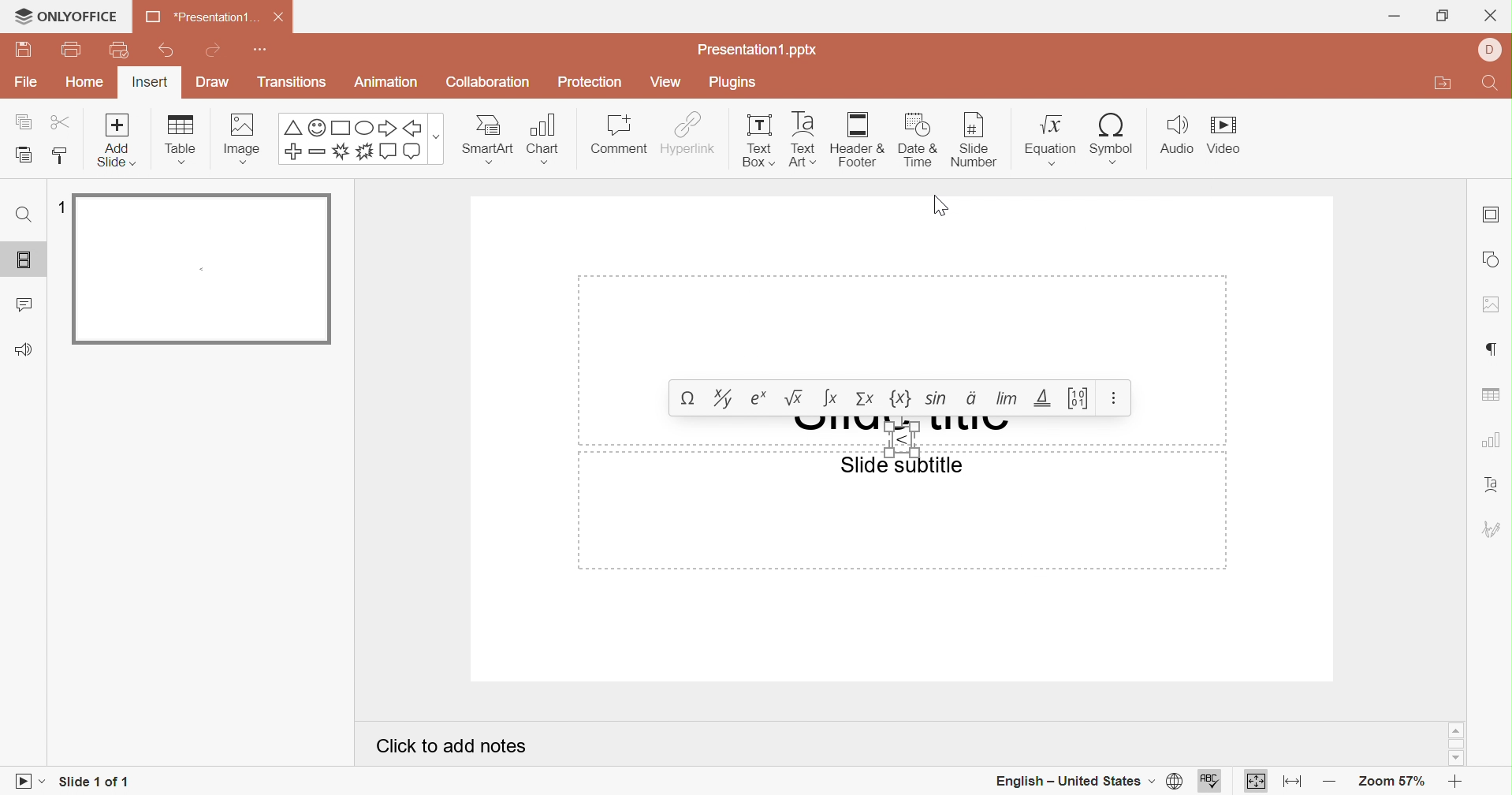 This screenshot has height=795, width=1512. I want to click on Customize quick access toolbar, so click(259, 48).